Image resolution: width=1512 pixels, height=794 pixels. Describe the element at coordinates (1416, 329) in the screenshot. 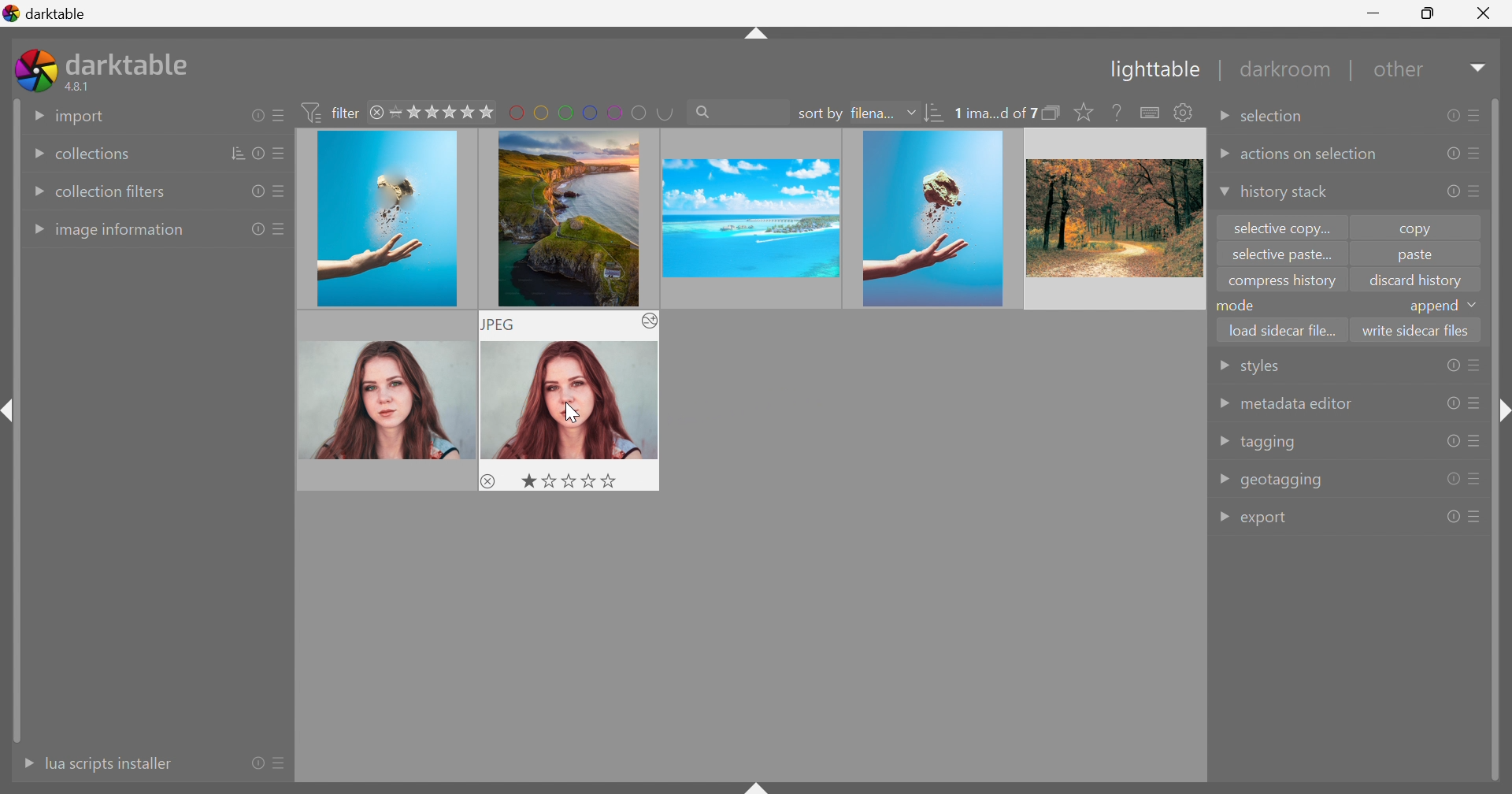

I see `write sidecar files` at that location.